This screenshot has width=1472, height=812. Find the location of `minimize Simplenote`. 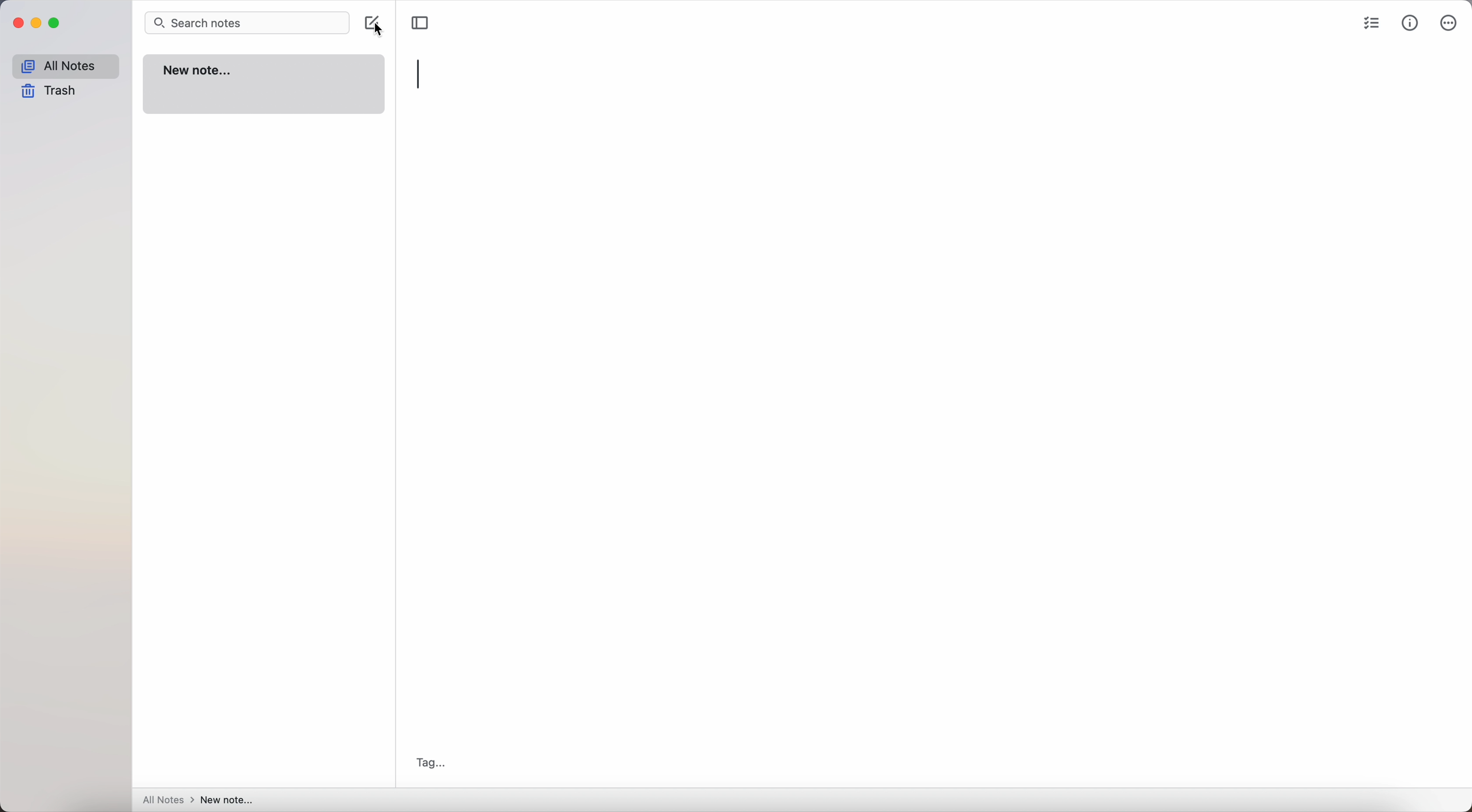

minimize Simplenote is located at coordinates (36, 23).